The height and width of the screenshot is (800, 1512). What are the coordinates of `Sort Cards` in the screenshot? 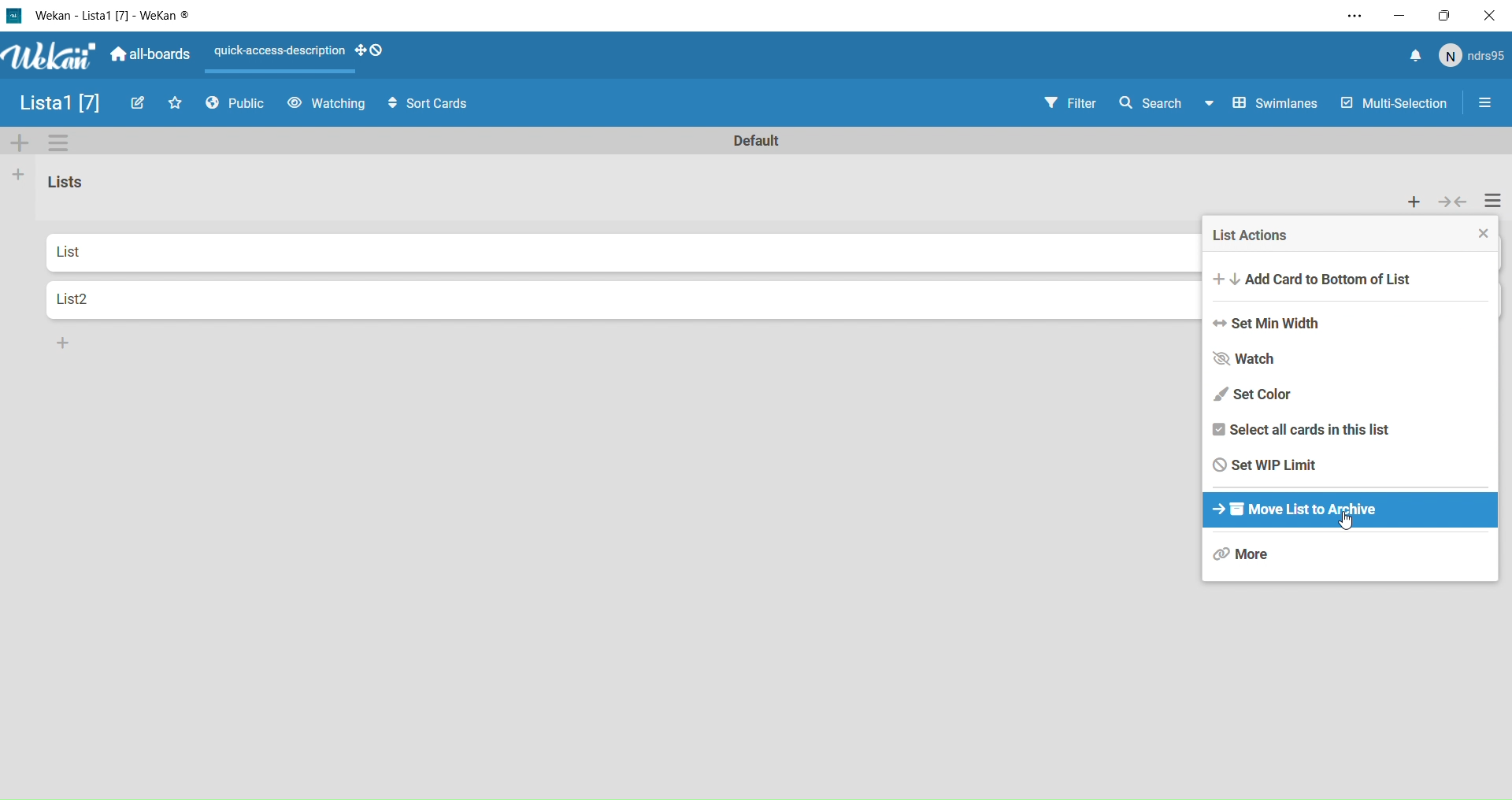 It's located at (435, 108).